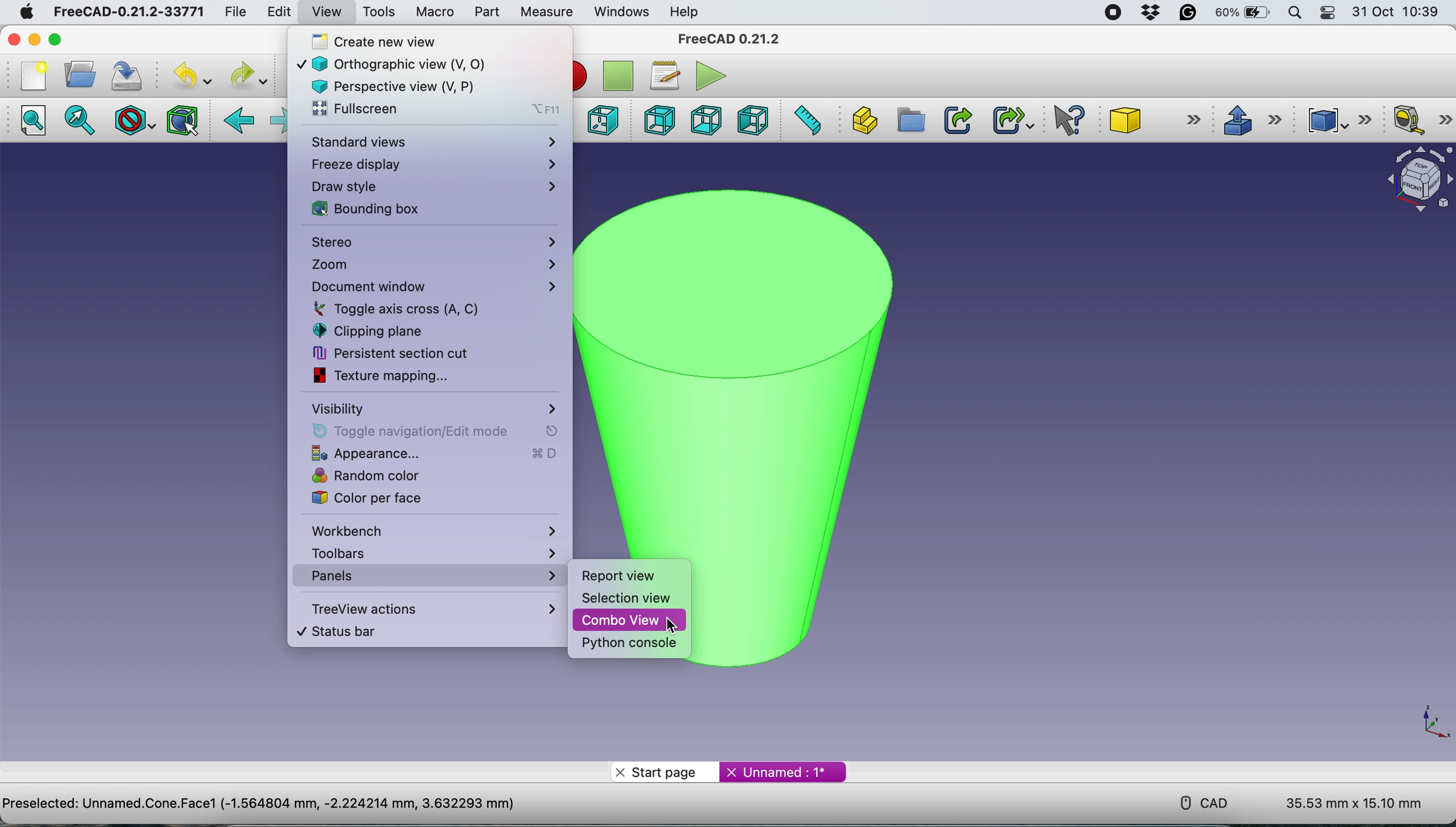 The image size is (1456, 827). I want to click on windows, so click(619, 11).